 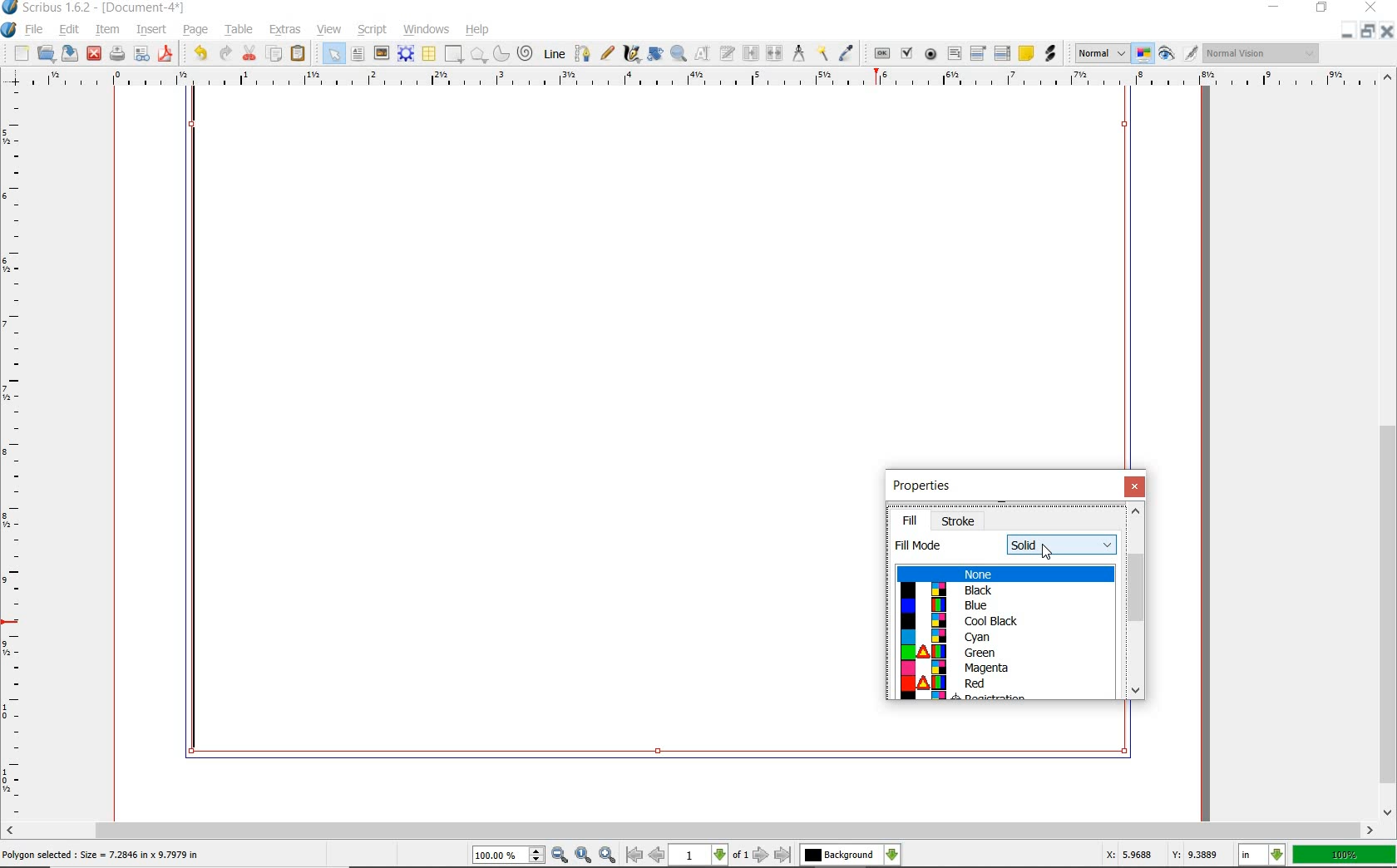 What do you see at coordinates (479, 31) in the screenshot?
I see `help` at bounding box center [479, 31].